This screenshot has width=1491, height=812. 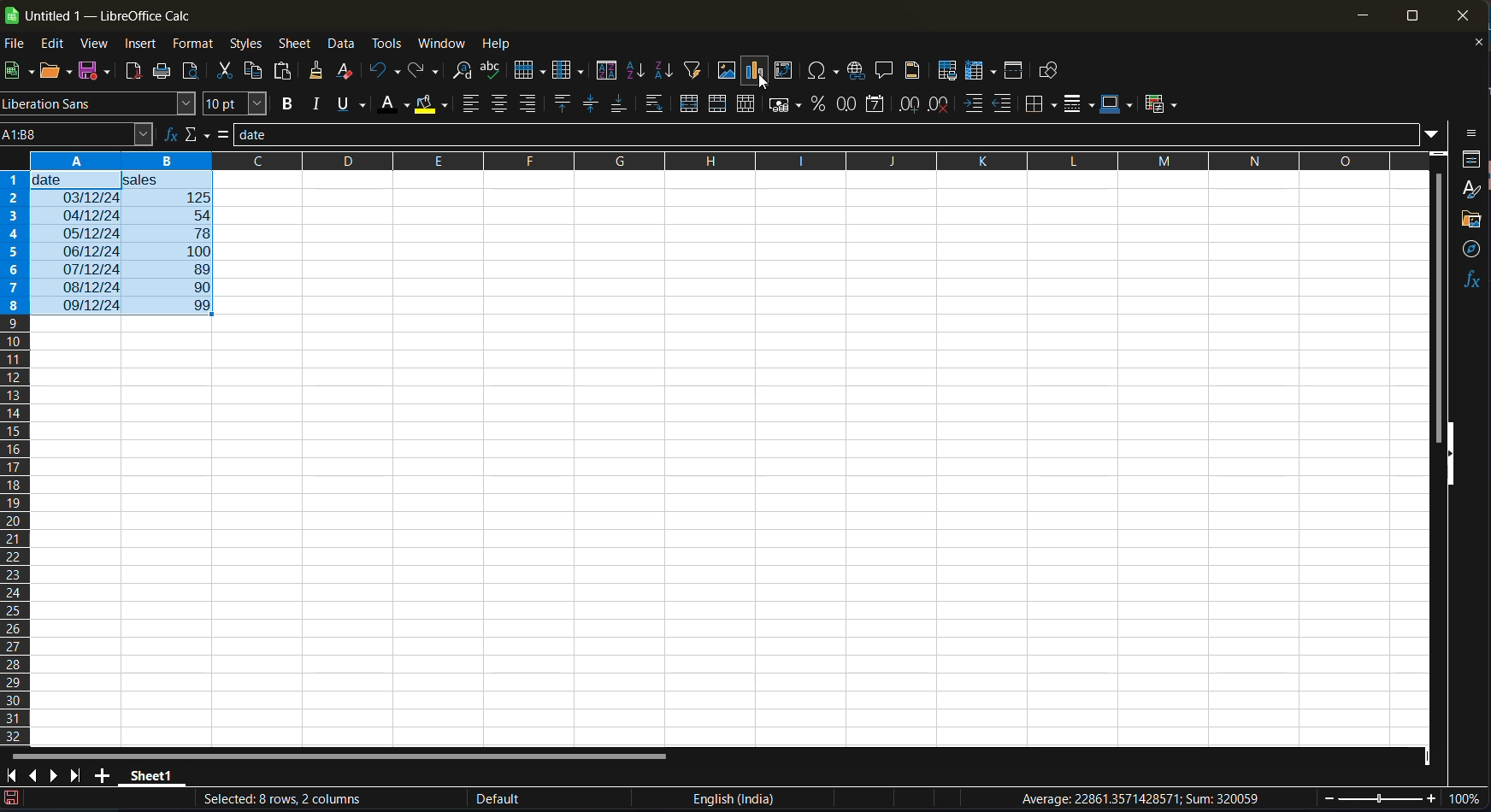 What do you see at coordinates (638, 71) in the screenshot?
I see `sort ascending` at bounding box center [638, 71].